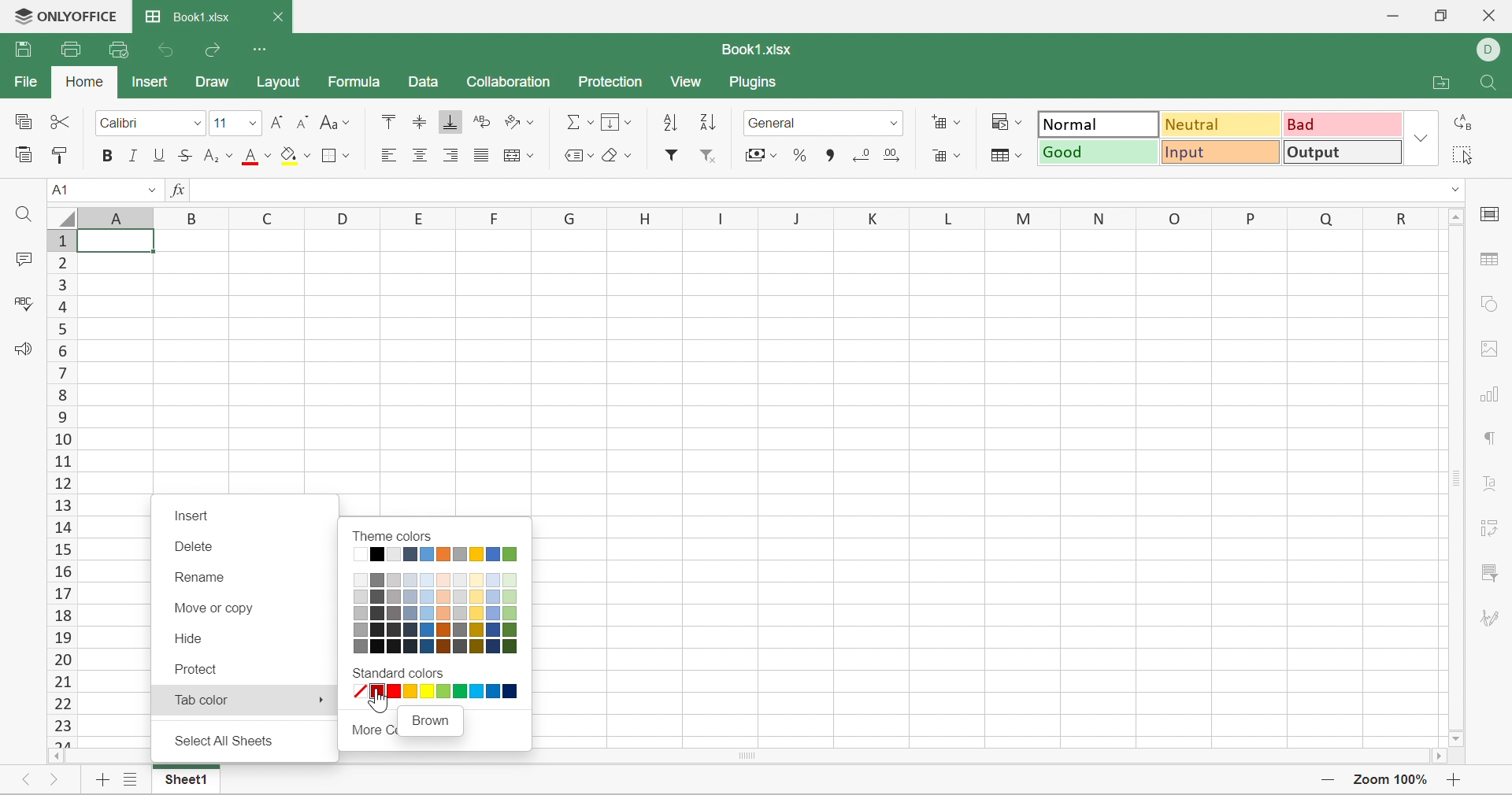 This screenshot has height=795, width=1512. Describe the element at coordinates (22, 216) in the screenshot. I see `Find` at that location.